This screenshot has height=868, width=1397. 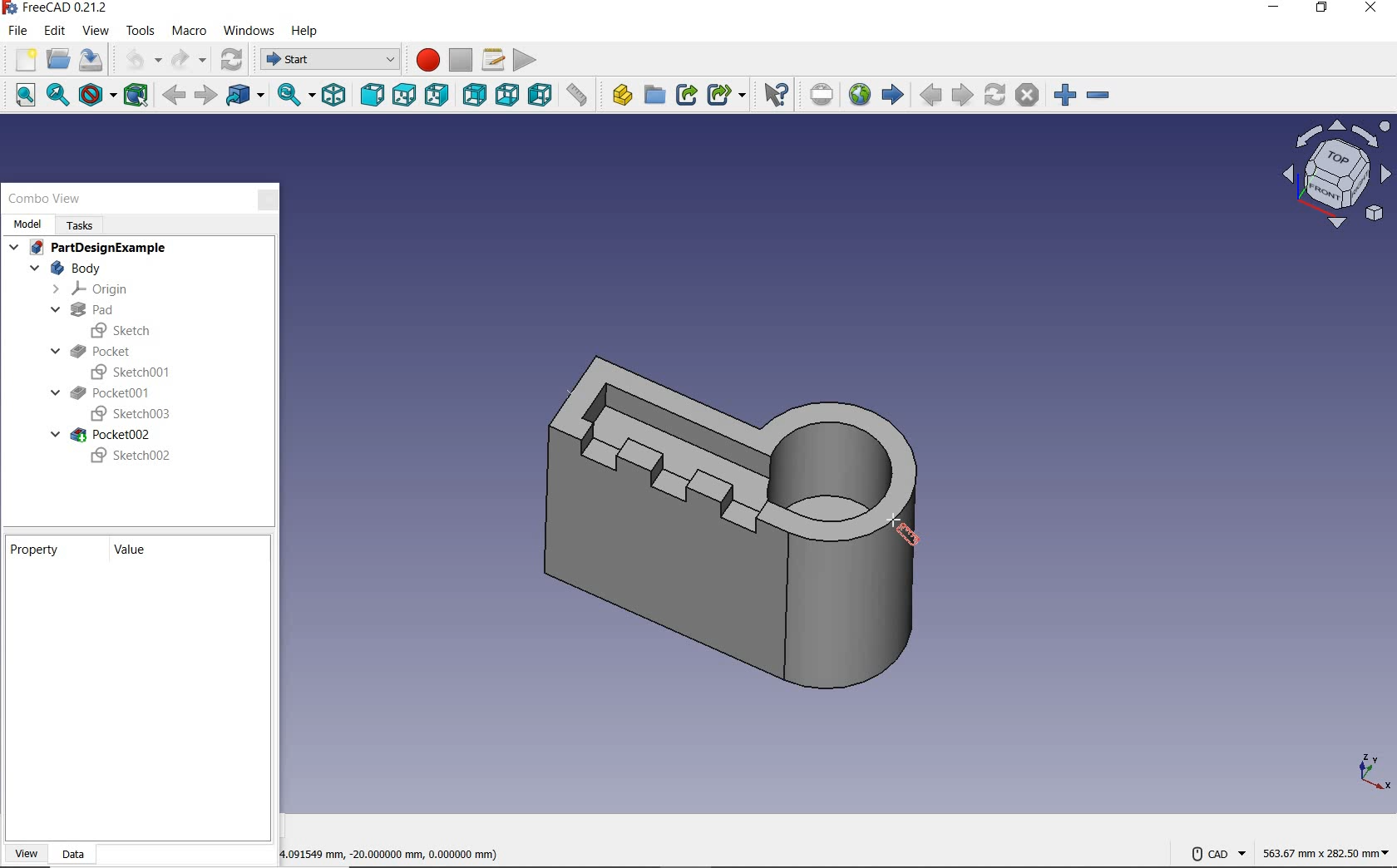 What do you see at coordinates (189, 31) in the screenshot?
I see `macro` at bounding box center [189, 31].